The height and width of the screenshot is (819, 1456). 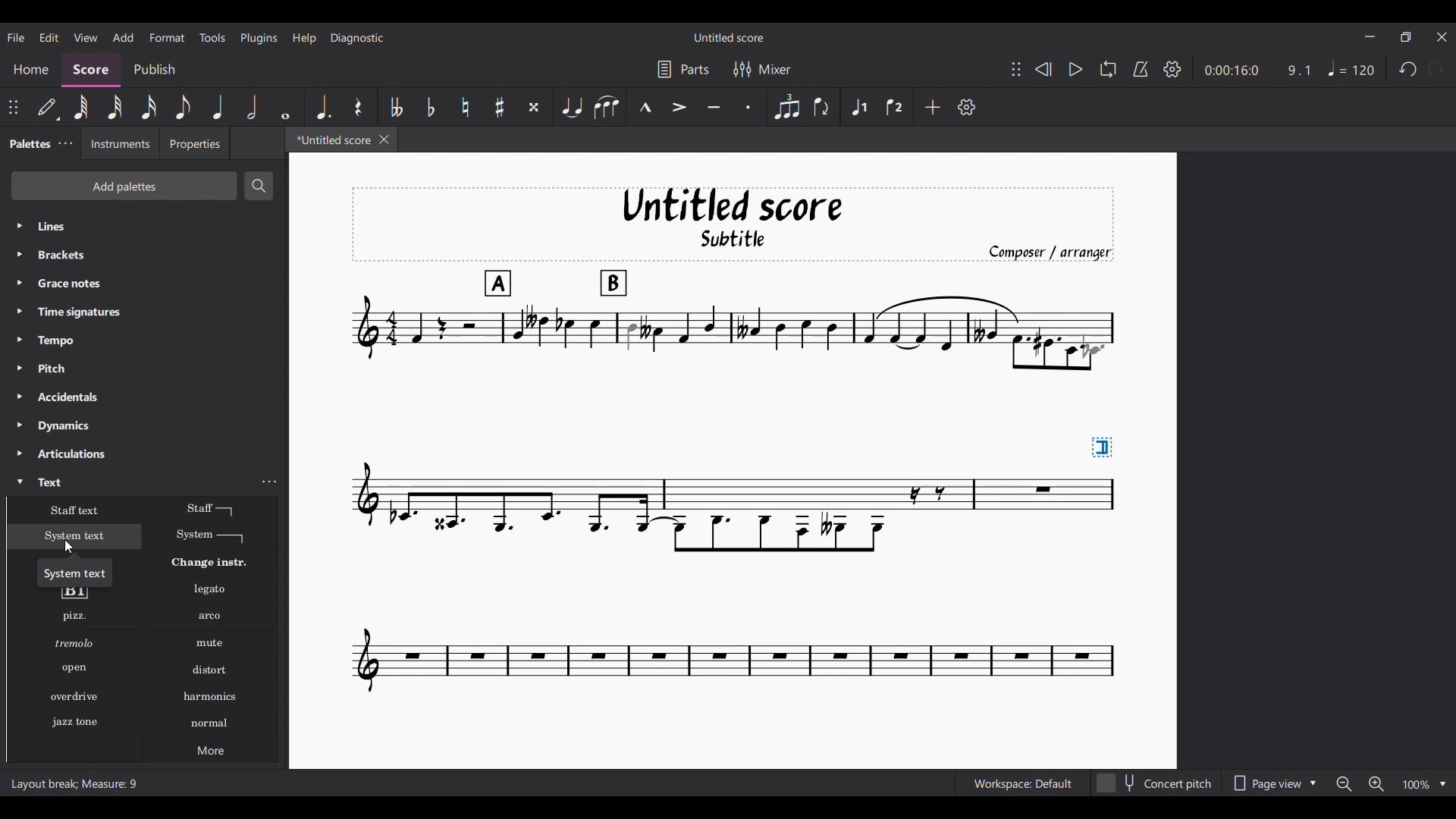 What do you see at coordinates (684, 69) in the screenshot?
I see `Parts settings` at bounding box center [684, 69].